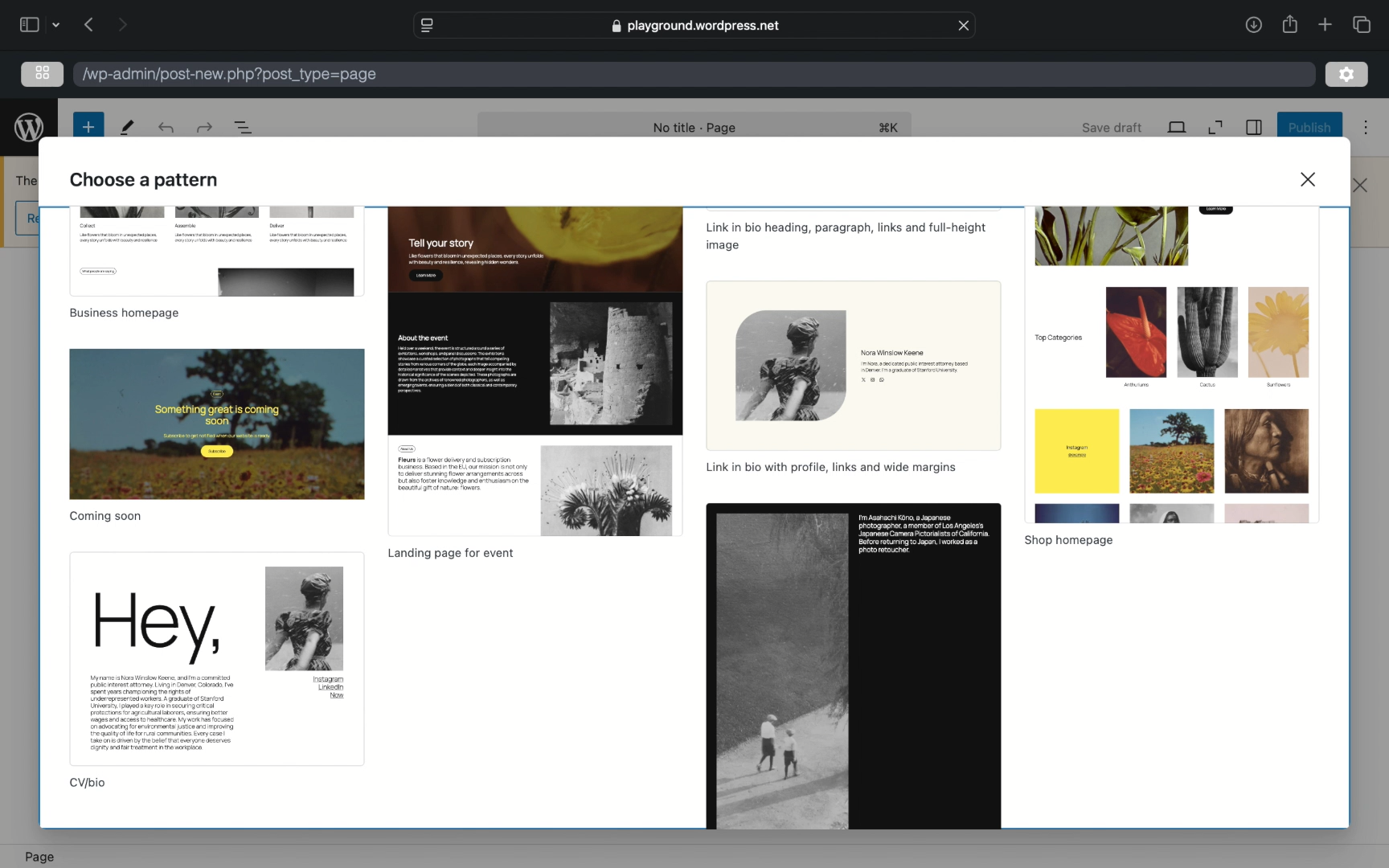 This screenshot has width=1389, height=868. What do you see at coordinates (124, 314) in the screenshot?
I see `business homepage` at bounding box center [124, 314].